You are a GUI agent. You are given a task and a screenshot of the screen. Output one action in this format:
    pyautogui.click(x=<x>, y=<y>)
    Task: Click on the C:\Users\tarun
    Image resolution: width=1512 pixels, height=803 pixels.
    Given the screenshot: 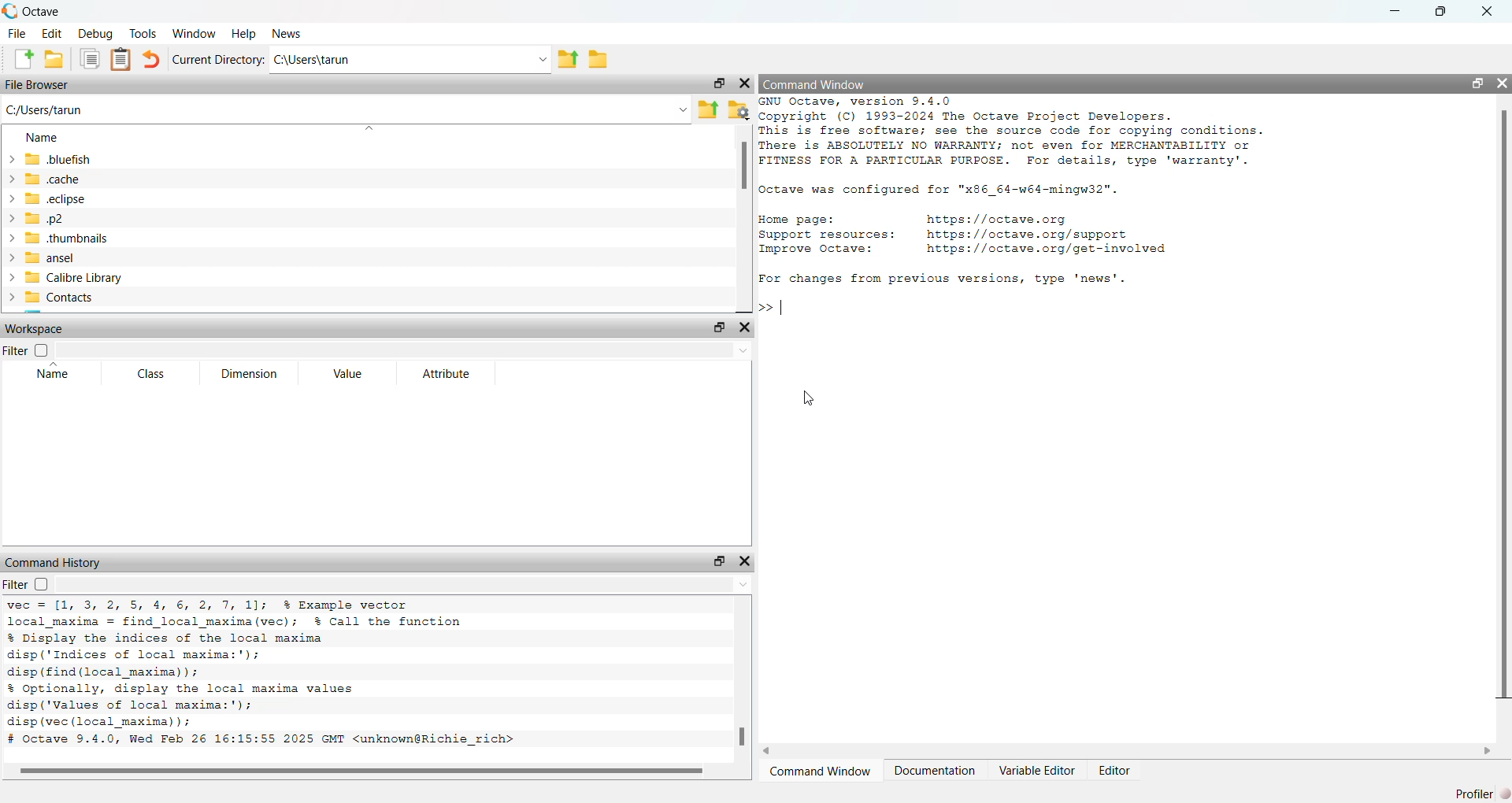 What is the action you would take?
    pyautogui.click(x=399, y=60)
    